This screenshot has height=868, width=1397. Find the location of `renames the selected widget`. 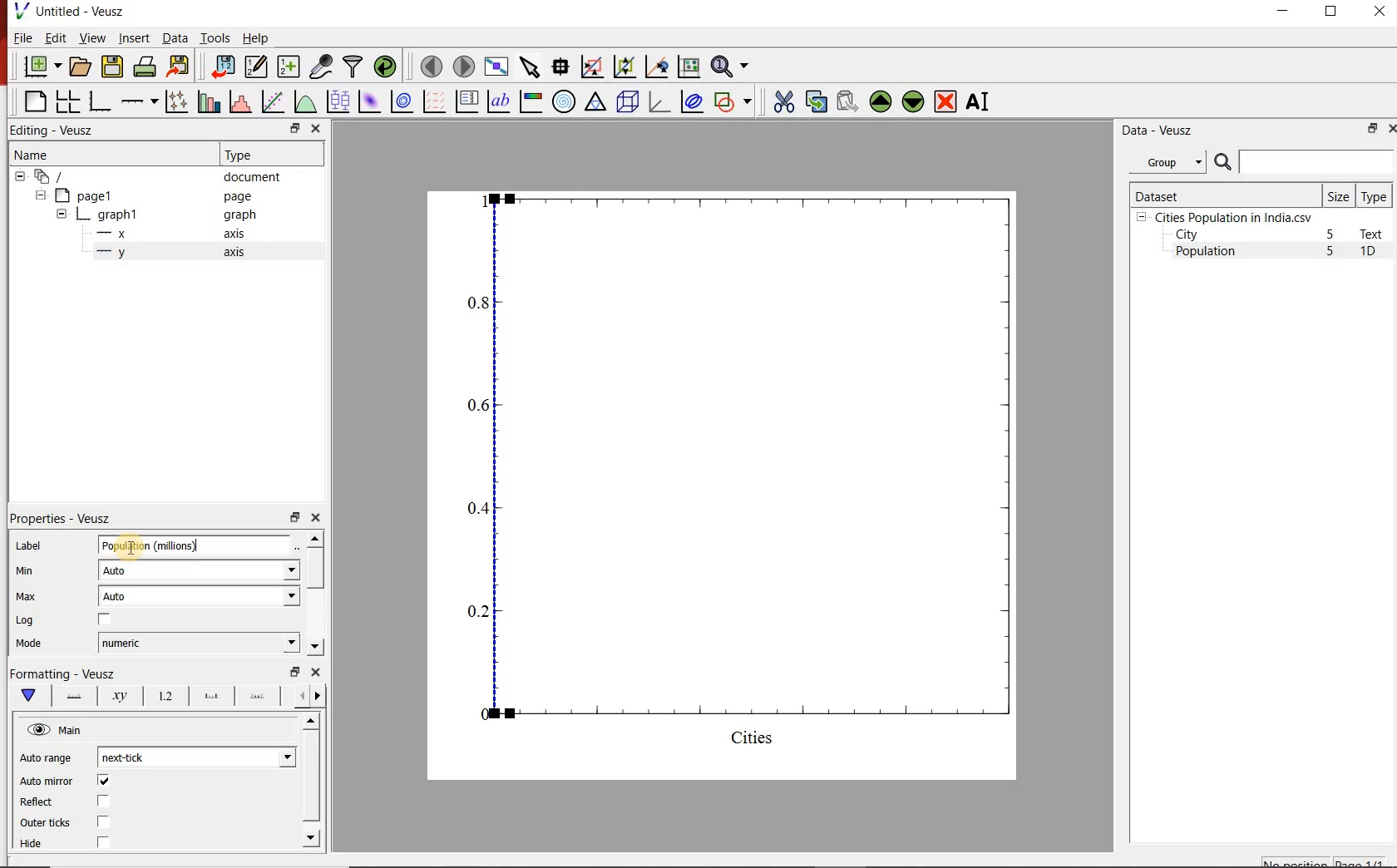

renames the selected widget is located at coordinates (979, 101).